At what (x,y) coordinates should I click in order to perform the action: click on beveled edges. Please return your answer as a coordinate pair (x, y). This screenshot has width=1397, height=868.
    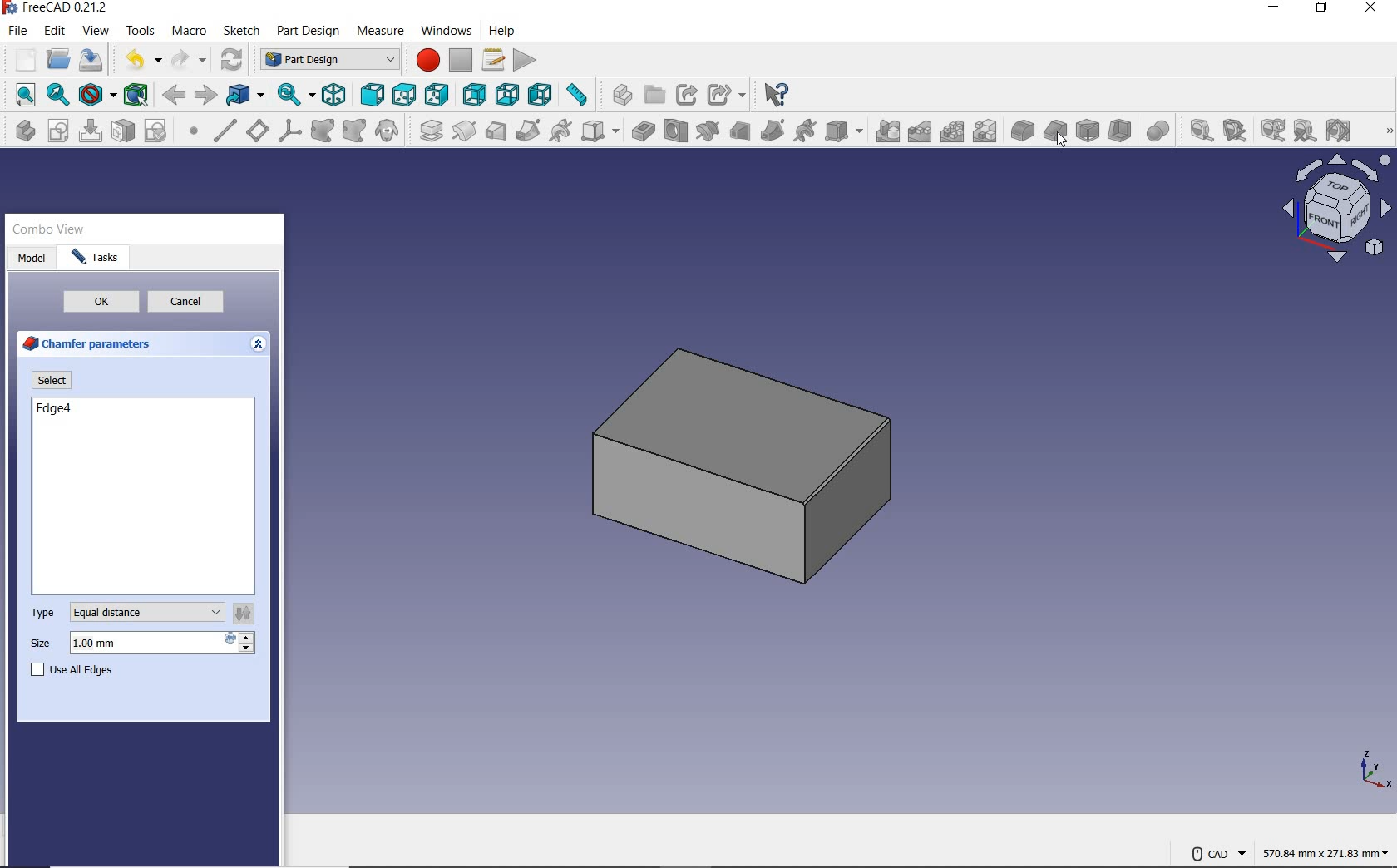
    Looking at the image, I should click on (833, 461).